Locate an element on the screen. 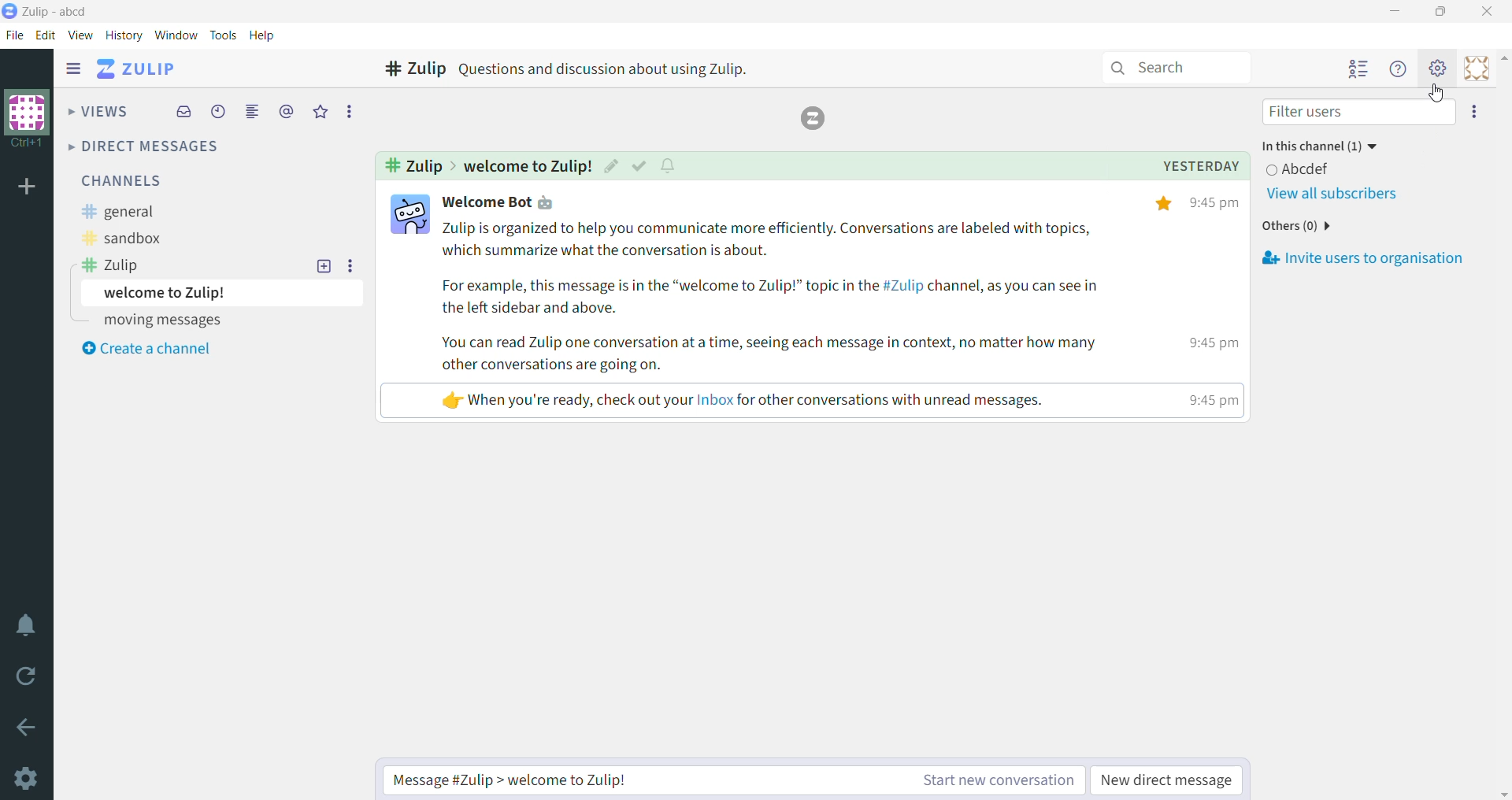  View is located at coordinates (81, 35).